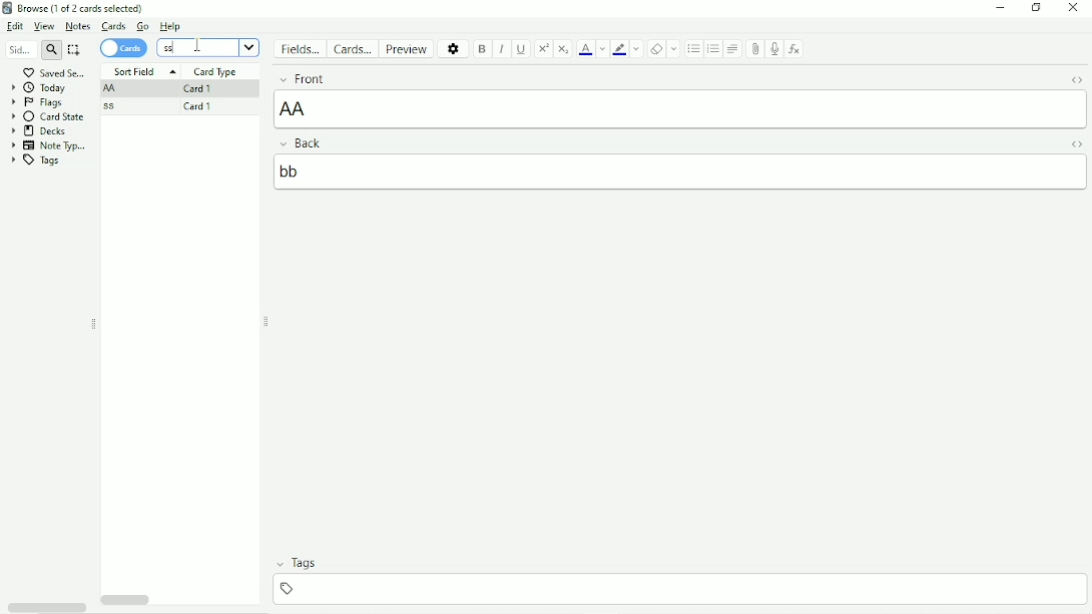 The width and height of the screenshot is (1092, 614). What do you see at coordinates (198, 89) in the screenshot?
I see `Card 1` at bounding box center [198, 89].